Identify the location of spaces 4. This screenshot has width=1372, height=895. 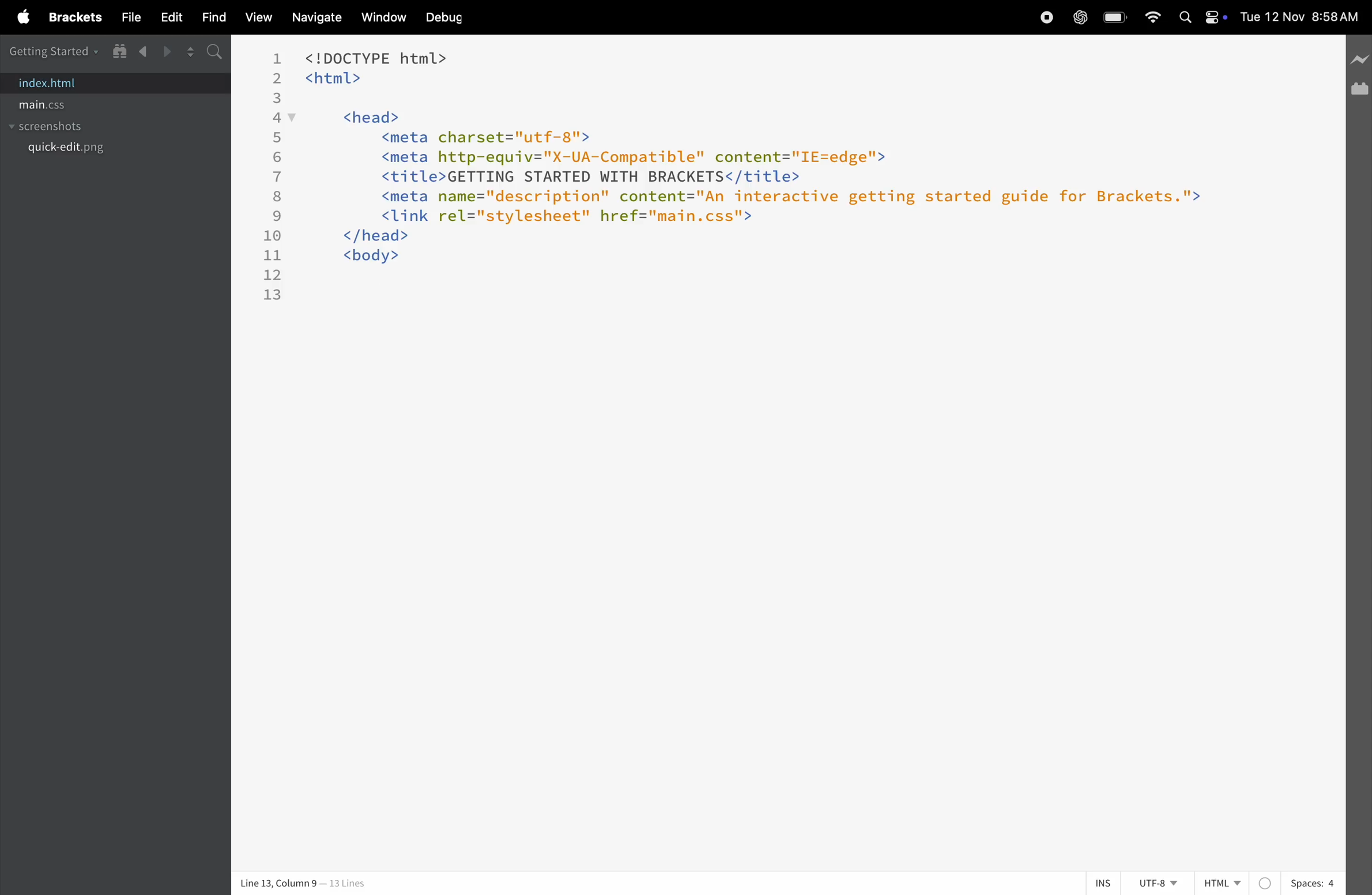
(1314, 883).